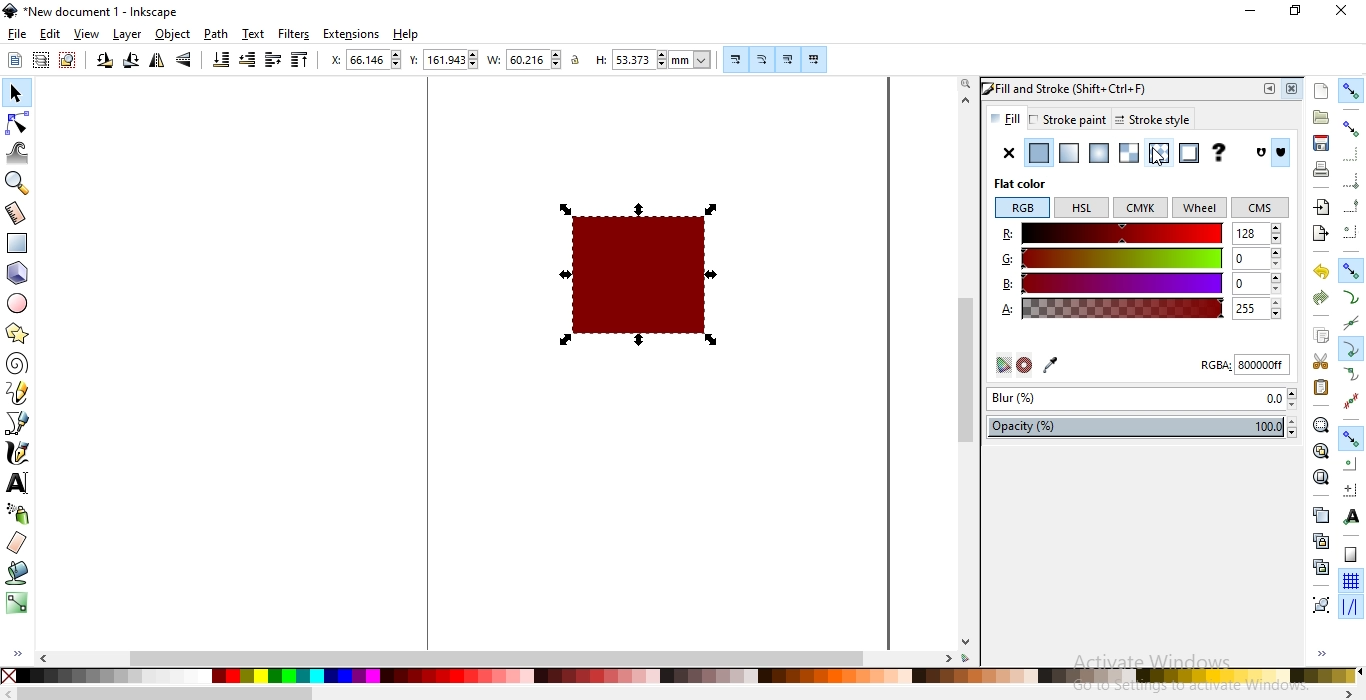 The image size is (1366, 700). Describe the element at coordinates (1351, 607) in the screenshot. I see `snap guide` at that location.